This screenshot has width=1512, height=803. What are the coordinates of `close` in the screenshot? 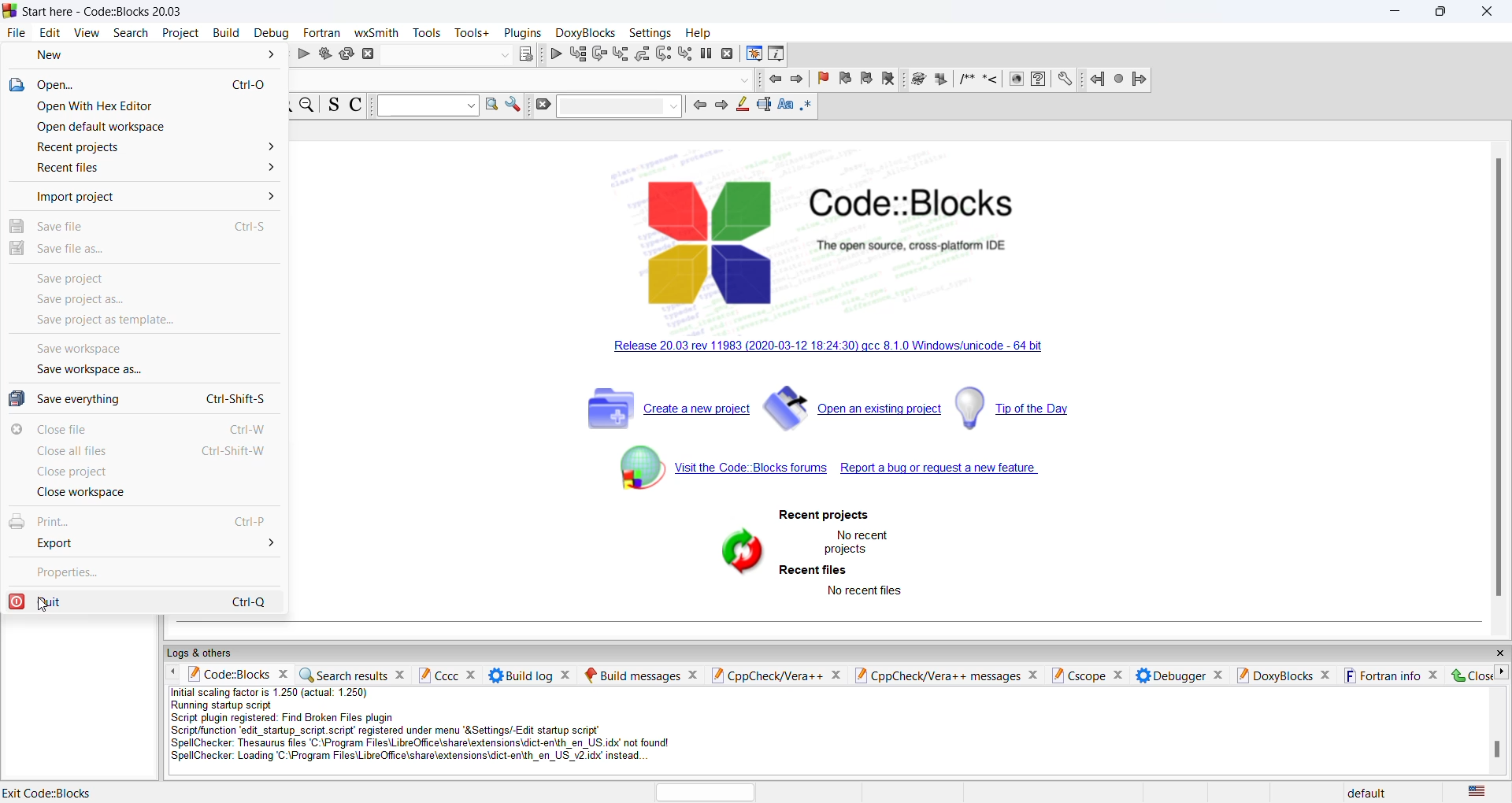 It's located at (1499, 653).